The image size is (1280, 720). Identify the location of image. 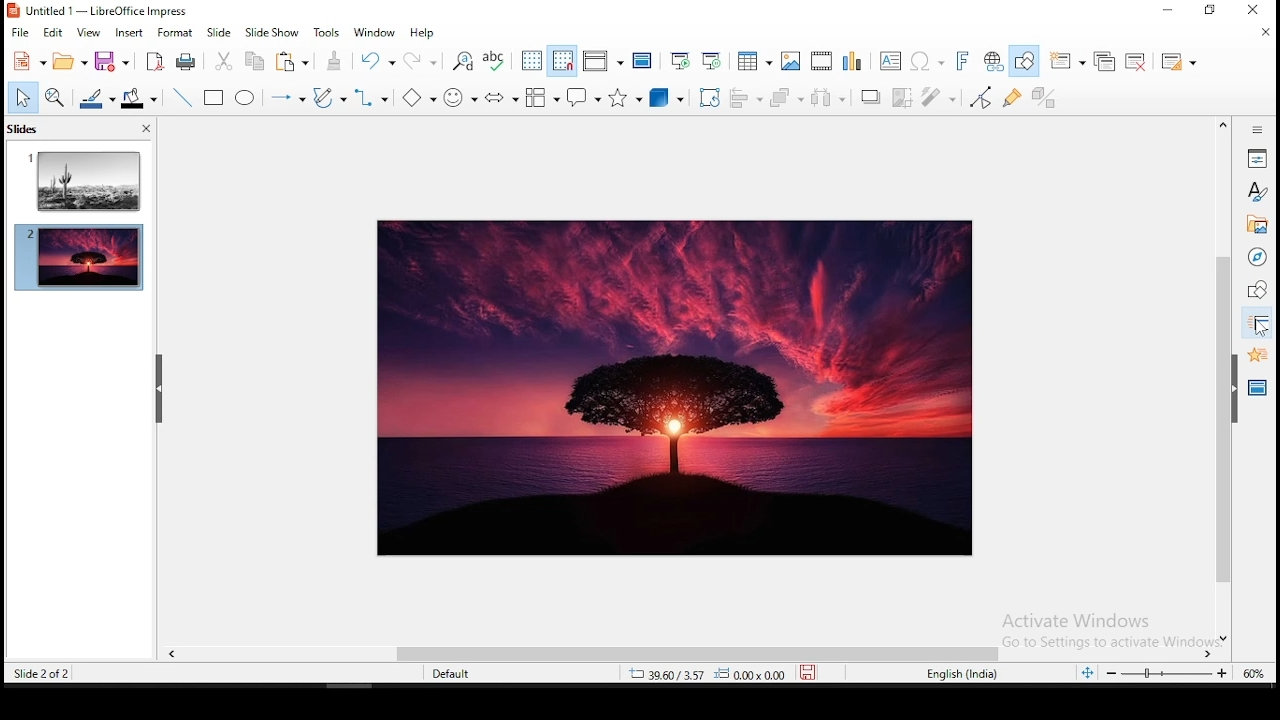
(670, 389).